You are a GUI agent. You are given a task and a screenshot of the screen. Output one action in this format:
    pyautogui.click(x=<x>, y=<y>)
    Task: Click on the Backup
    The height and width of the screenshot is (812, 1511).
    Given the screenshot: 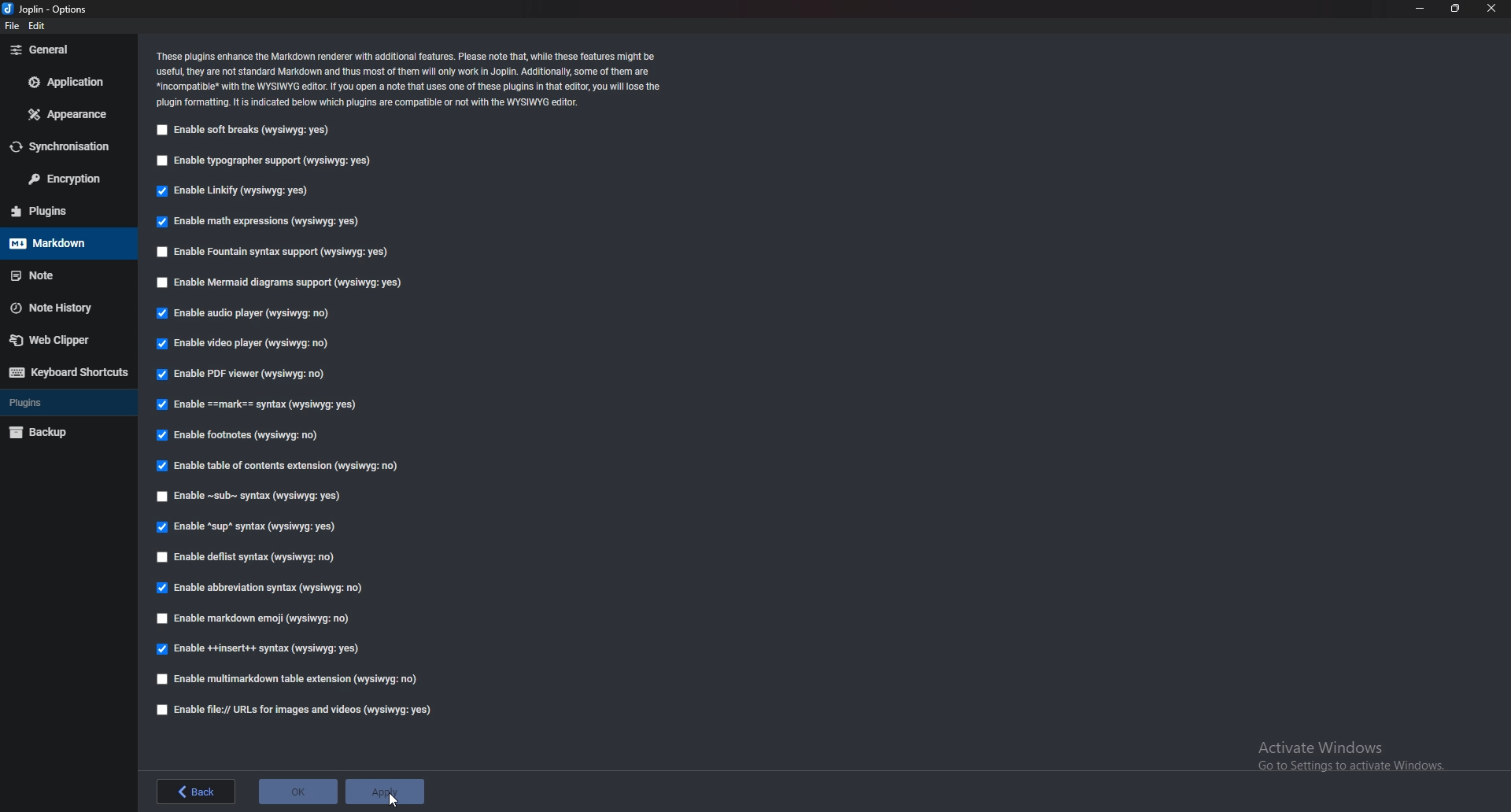 What is the action you would take?
    pyautogui.click(x=62, y=432)
    